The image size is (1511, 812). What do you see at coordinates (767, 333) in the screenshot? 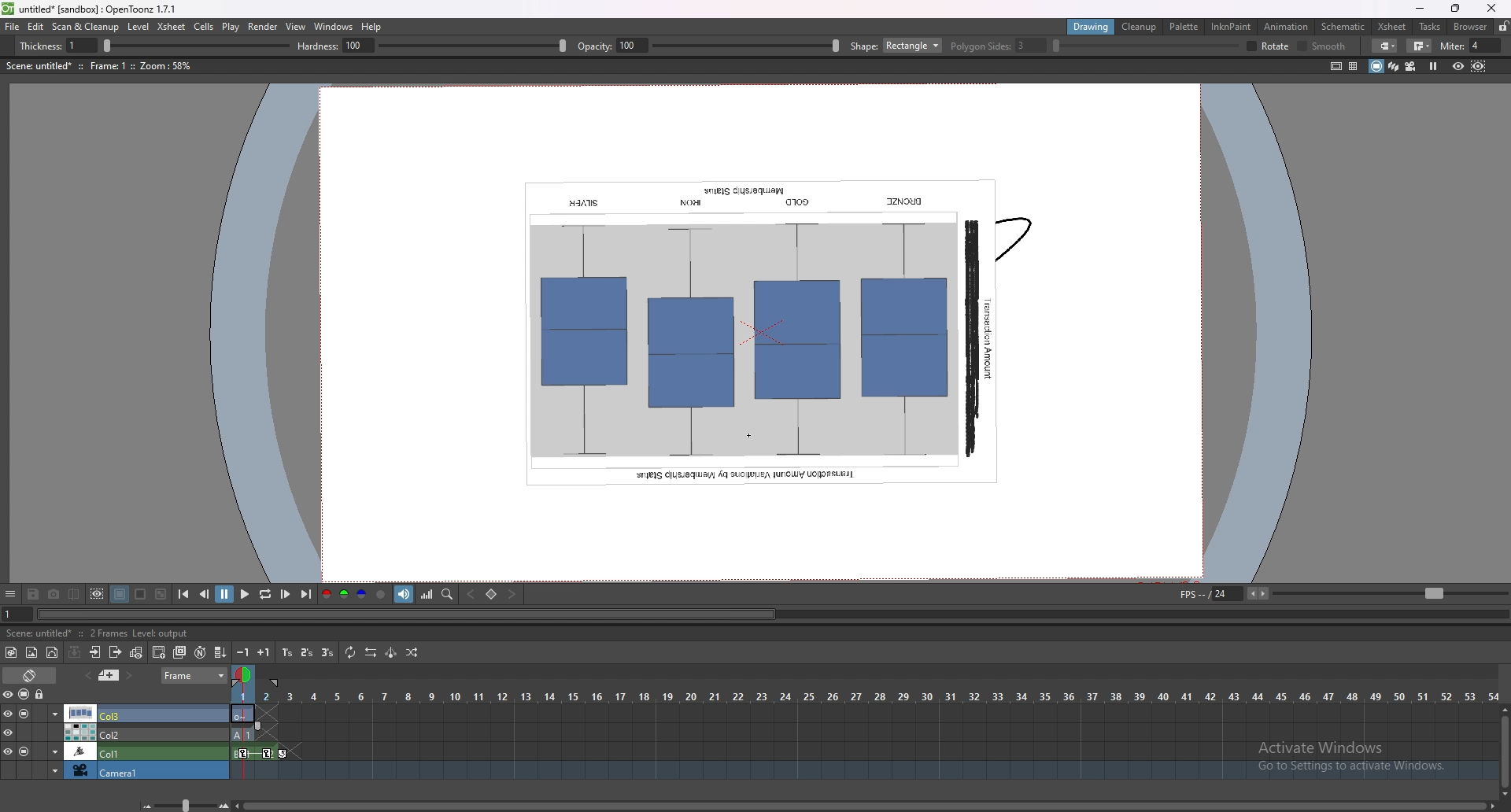
I see `image` at bounding box center [767, 333].